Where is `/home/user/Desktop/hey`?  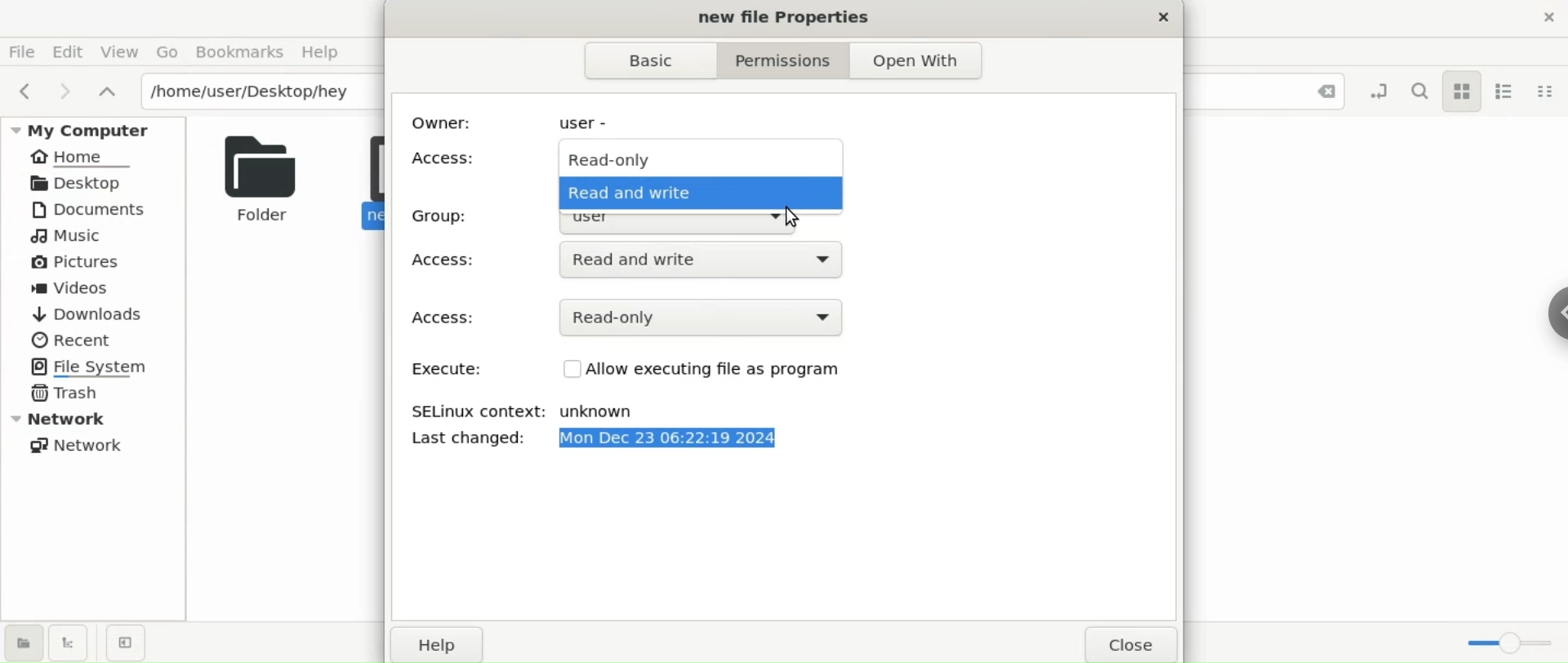 /home/user/Desktop/hey is located at coordinates (260, 91).